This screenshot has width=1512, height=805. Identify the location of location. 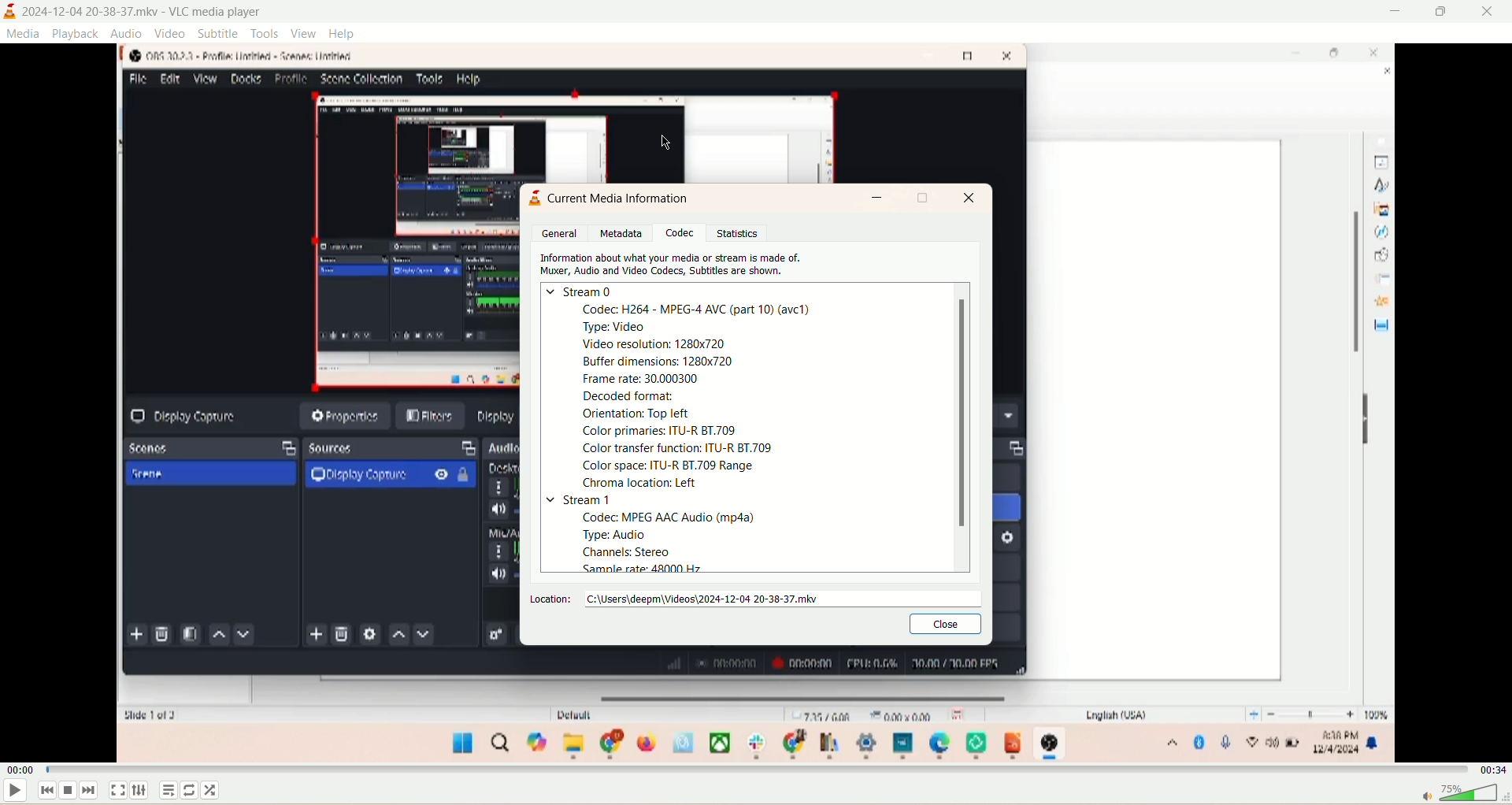
(755, 601).